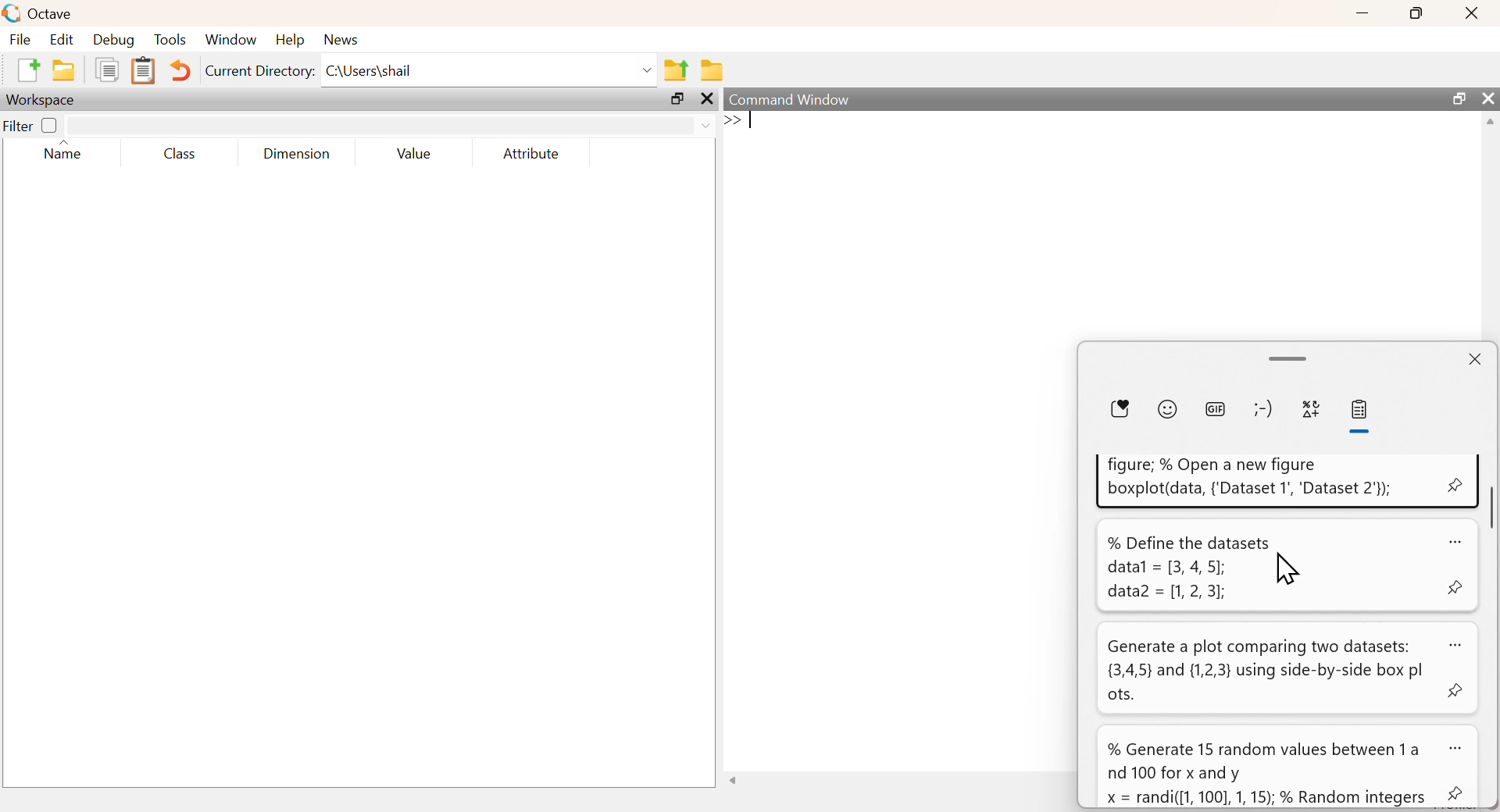  What do you see at coordinates (1248, 478) in the screenshot?
I see `figure; % Open a new figure
boxplot(data, {'Dataset 1', 'Dataset 2'});` at bounding box center [1248, 478].